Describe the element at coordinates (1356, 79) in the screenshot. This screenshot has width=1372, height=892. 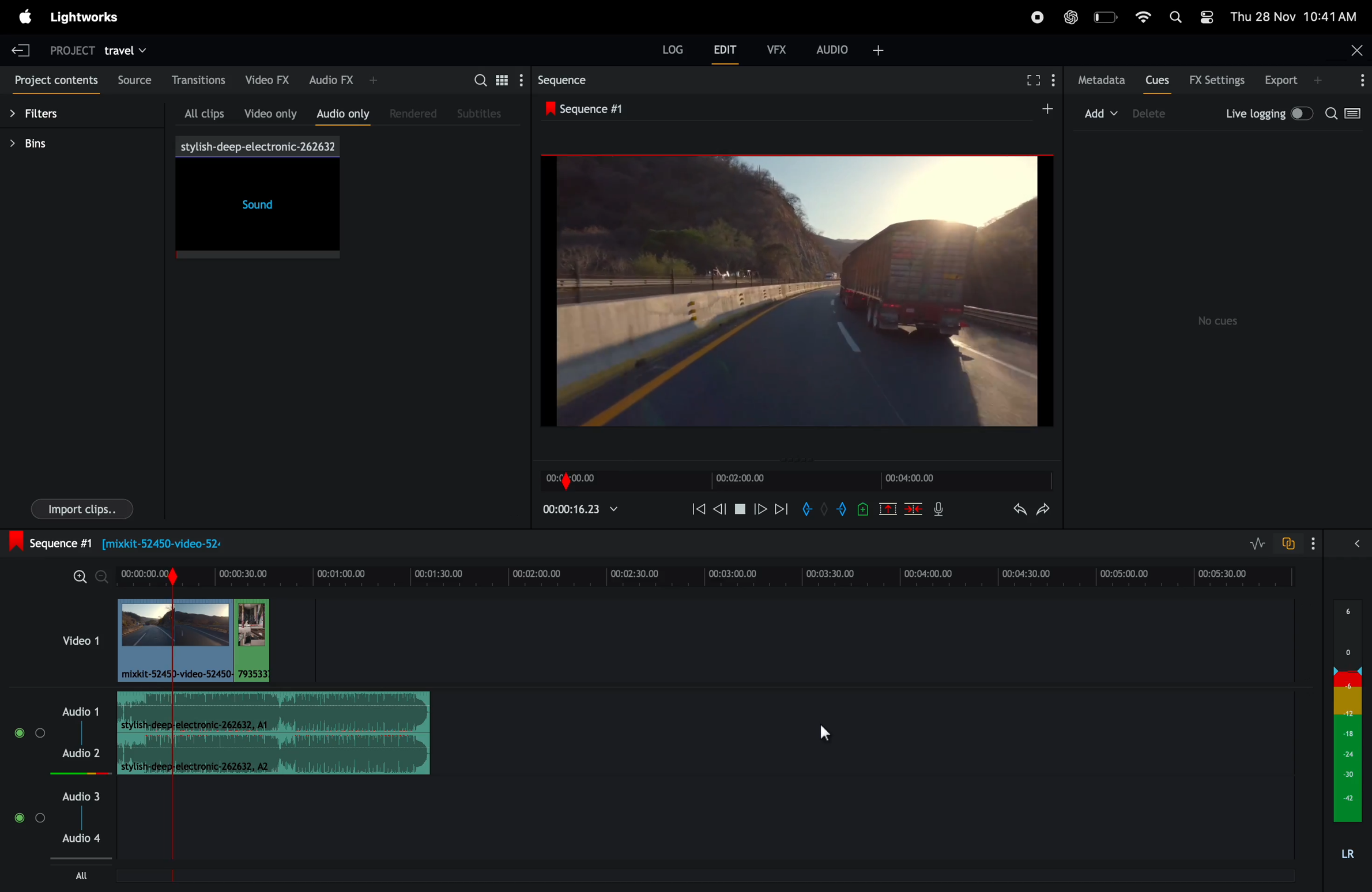
I see `options` at that location.